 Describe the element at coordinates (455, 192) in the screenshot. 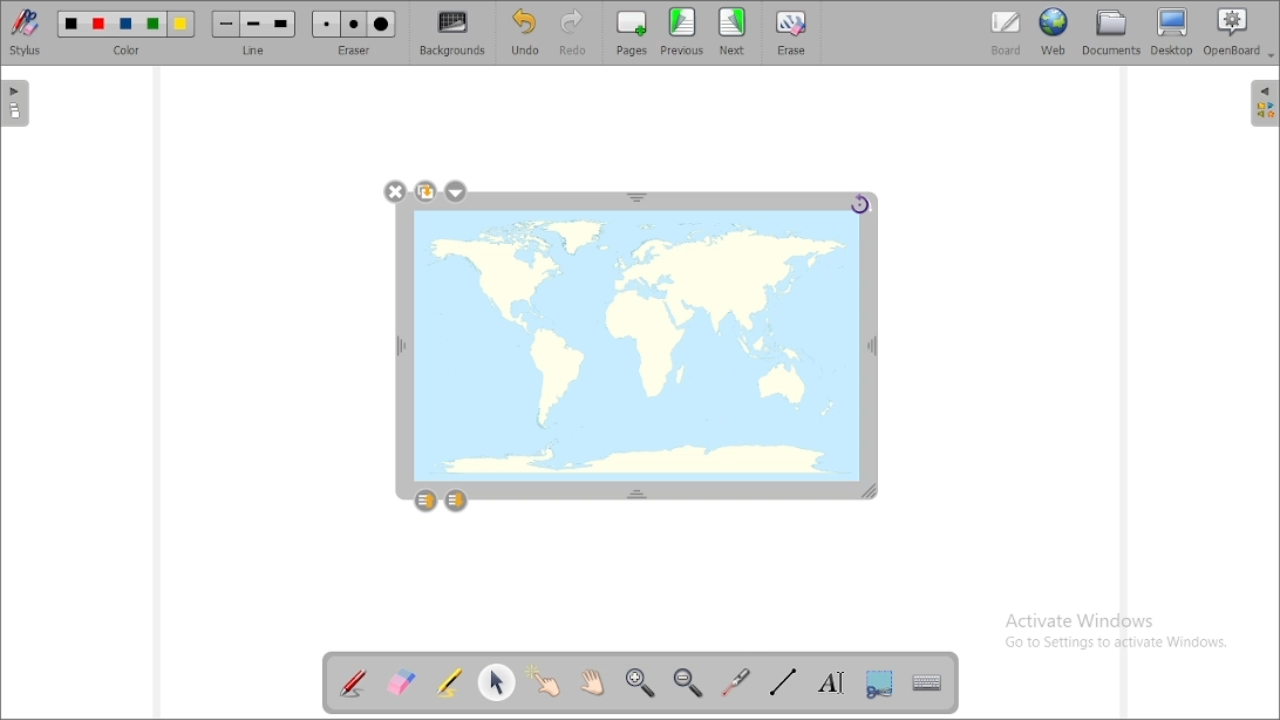

I see `settings` at that location.